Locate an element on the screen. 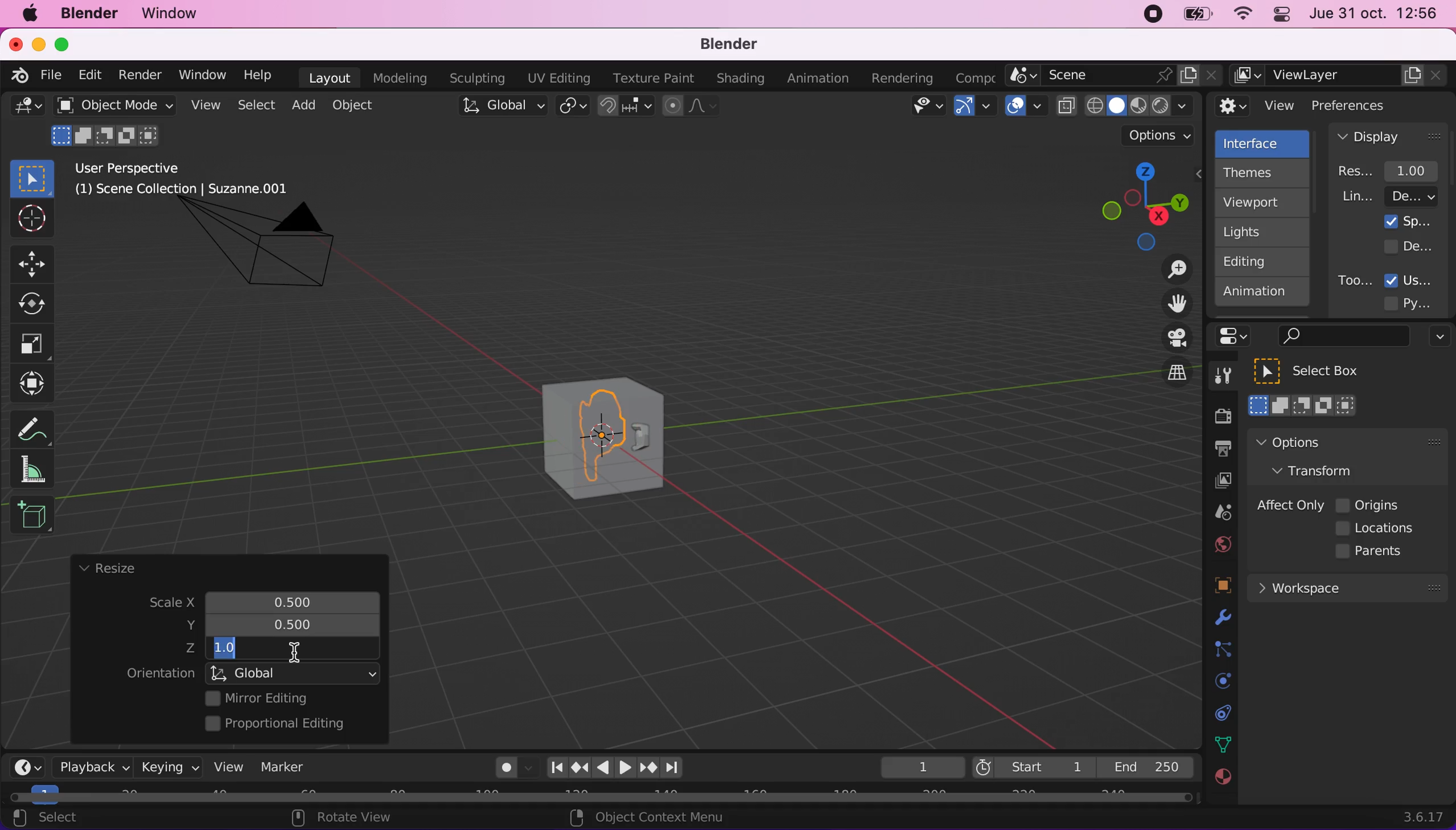 This screenshot has width=1456, height=830.  is located at coordinates (38, 304).